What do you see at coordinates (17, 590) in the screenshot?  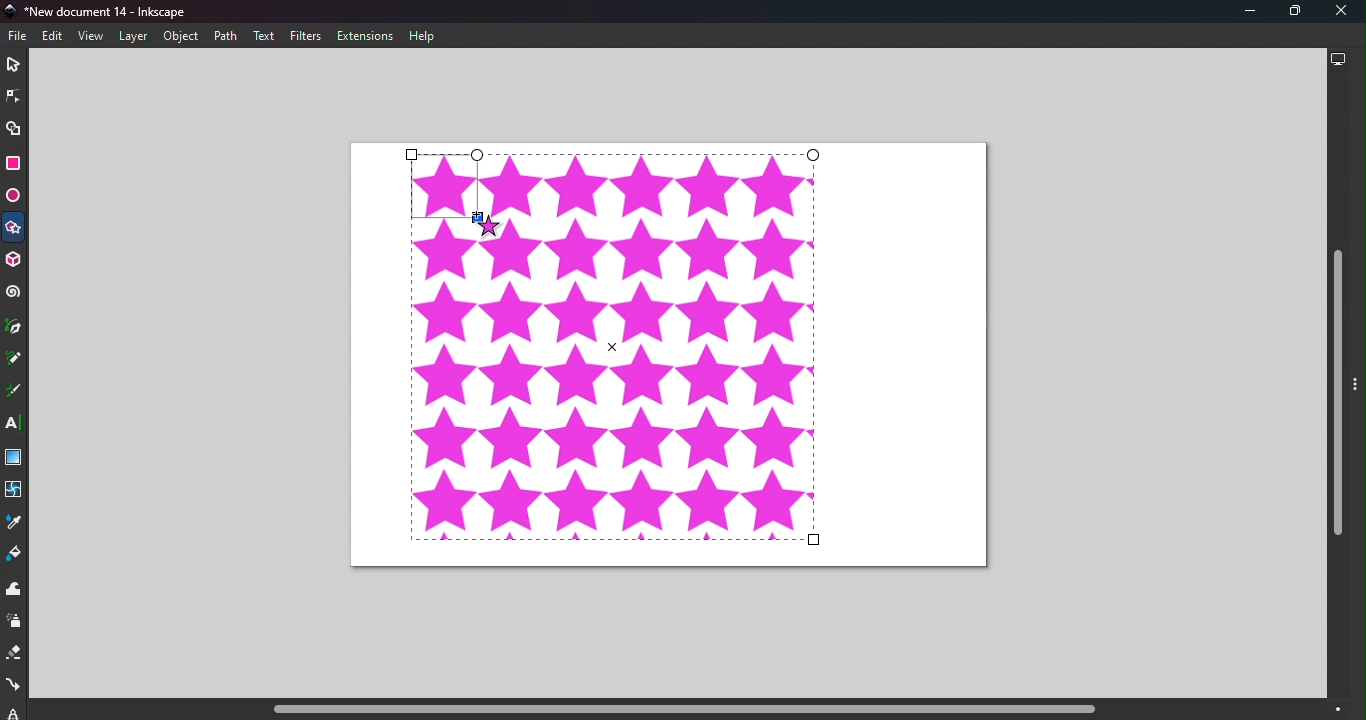 I see `Tweak tool` at bounding box center [17, 590].